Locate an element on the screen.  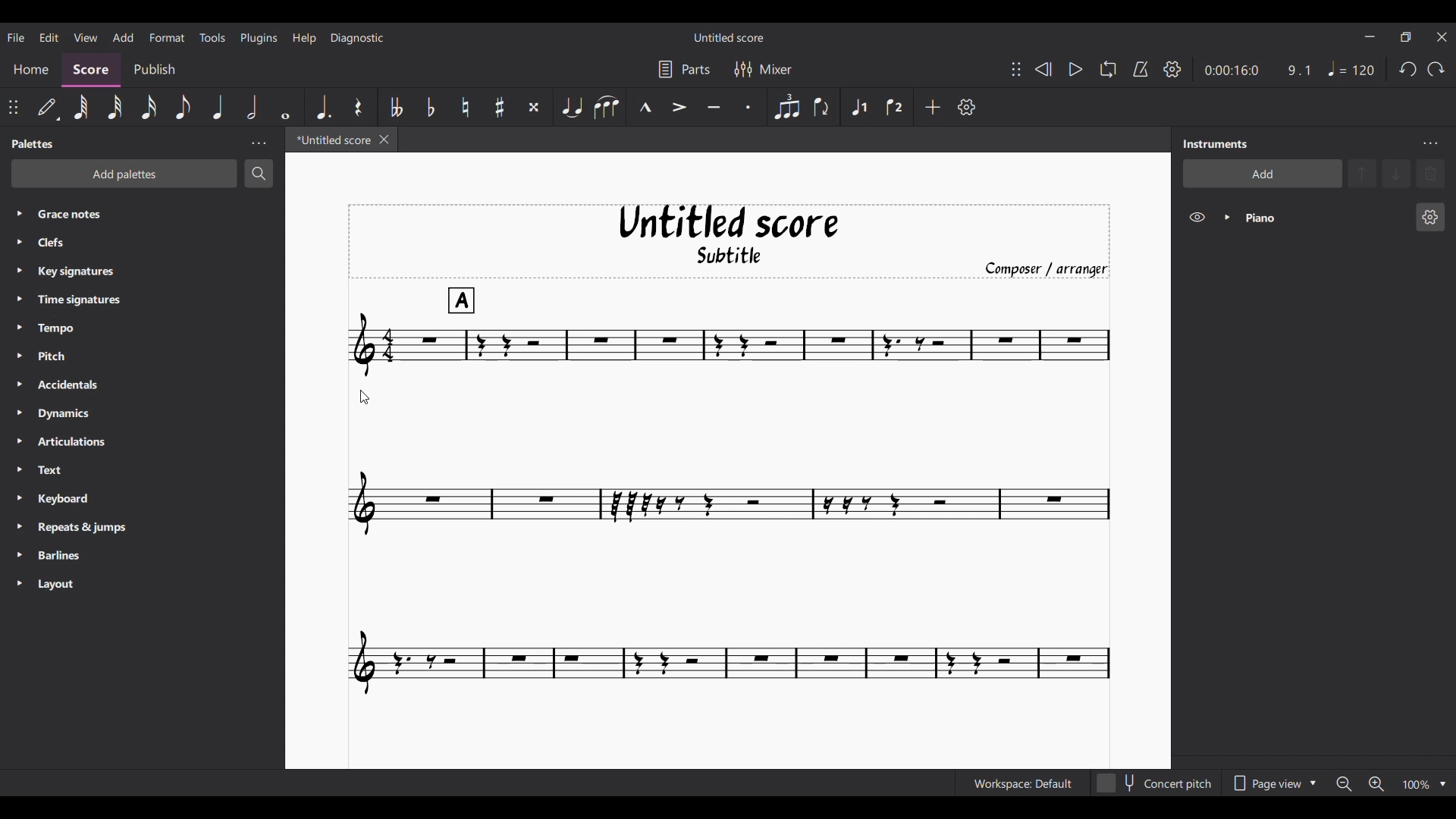
Toggle sharp is located at coordinates (500, 106).